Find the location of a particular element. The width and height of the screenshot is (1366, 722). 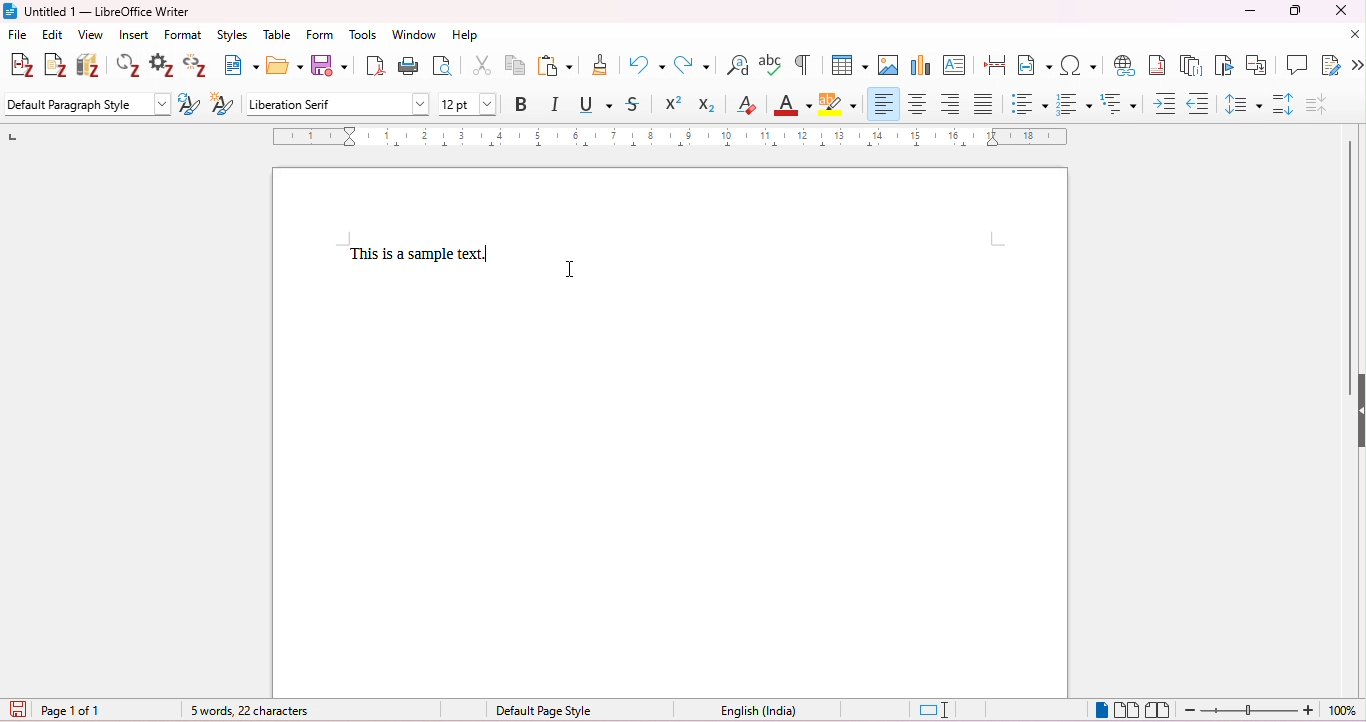

add note is located at coordinates (56, 65).